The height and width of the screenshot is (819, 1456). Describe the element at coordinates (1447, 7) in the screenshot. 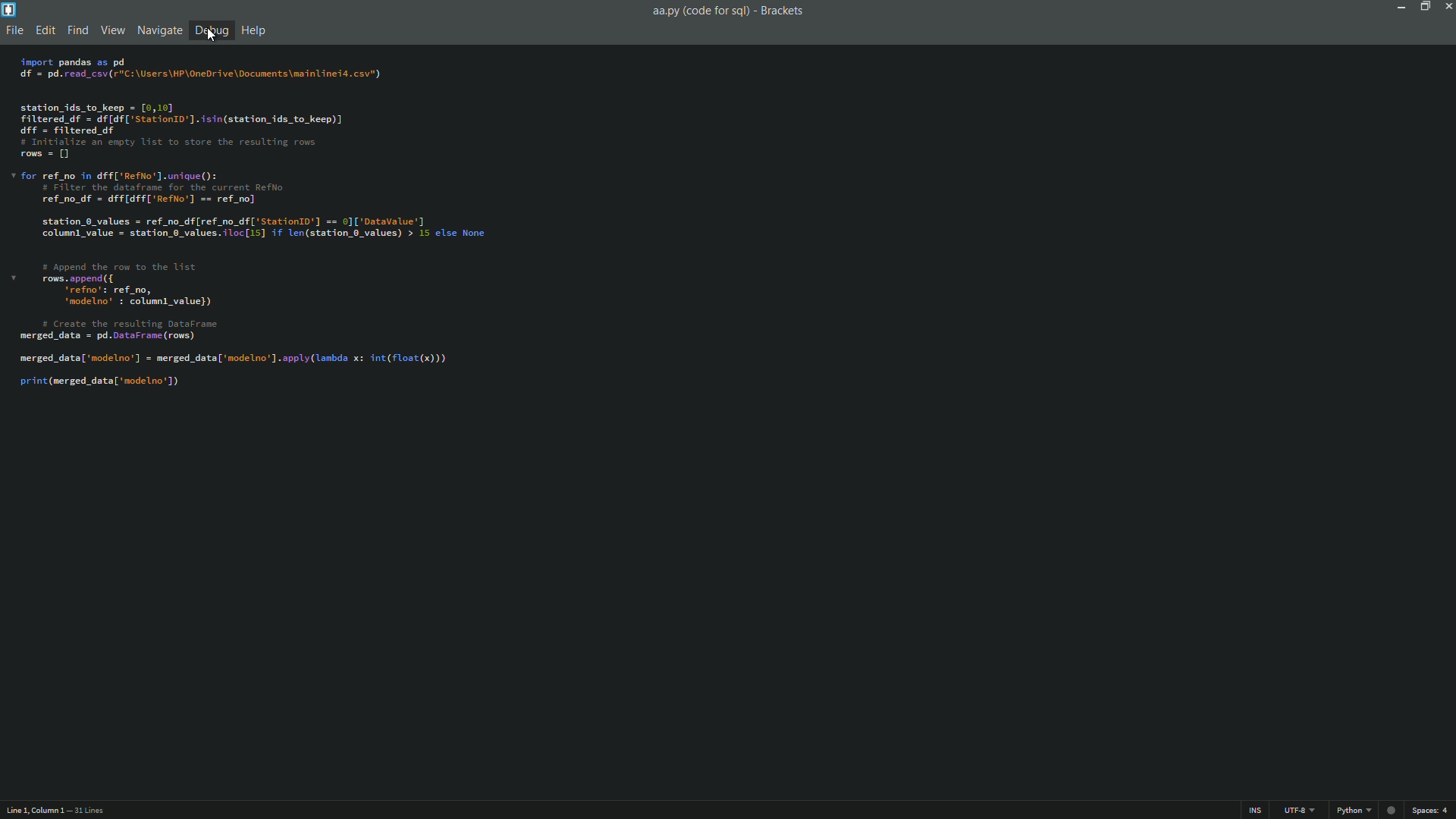

I see `close app` at that location.